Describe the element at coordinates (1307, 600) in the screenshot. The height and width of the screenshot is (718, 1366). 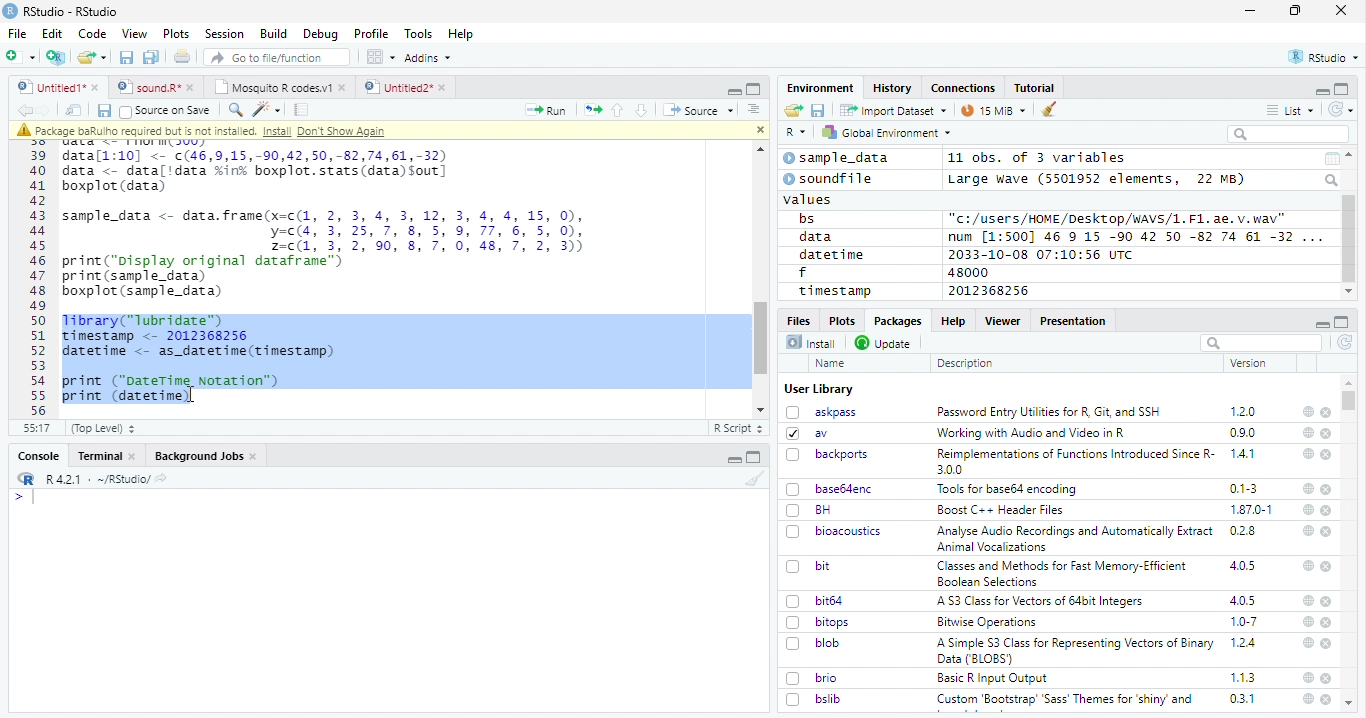
I see `help` at that location.